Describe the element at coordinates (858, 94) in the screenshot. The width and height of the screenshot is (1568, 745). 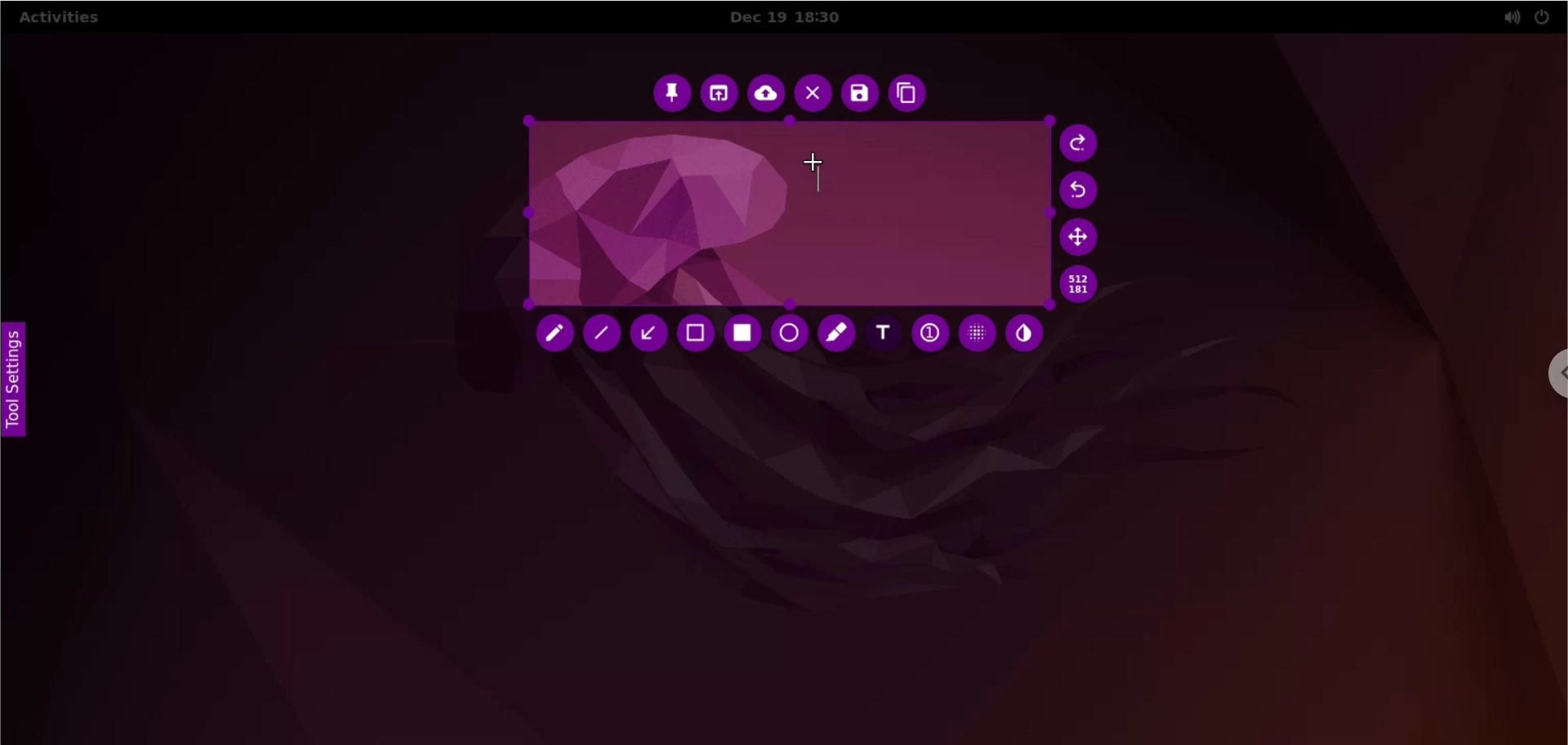
I see `save` at that location.